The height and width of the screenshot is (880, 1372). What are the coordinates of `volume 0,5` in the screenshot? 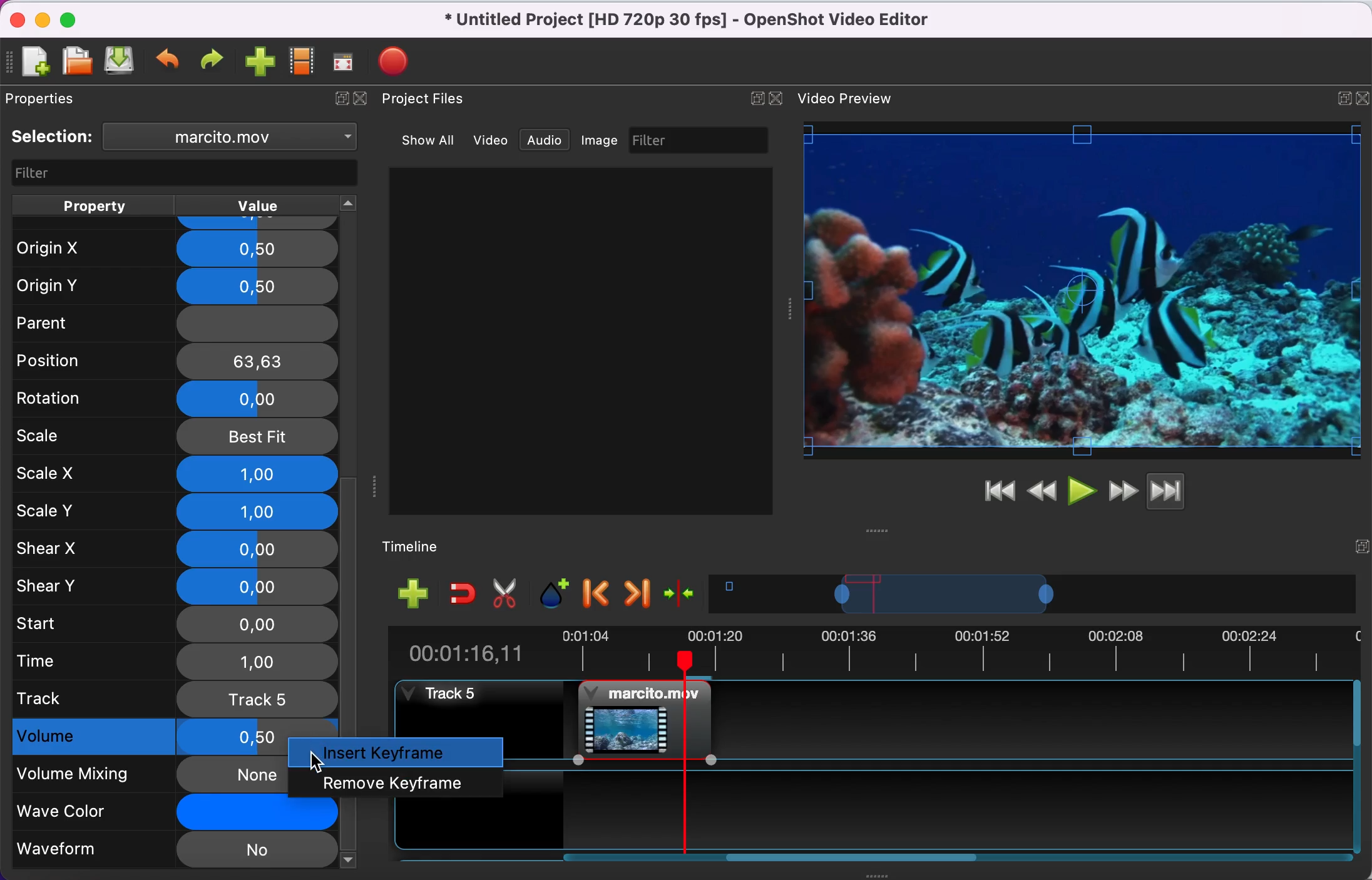 It's located at (153, 738).